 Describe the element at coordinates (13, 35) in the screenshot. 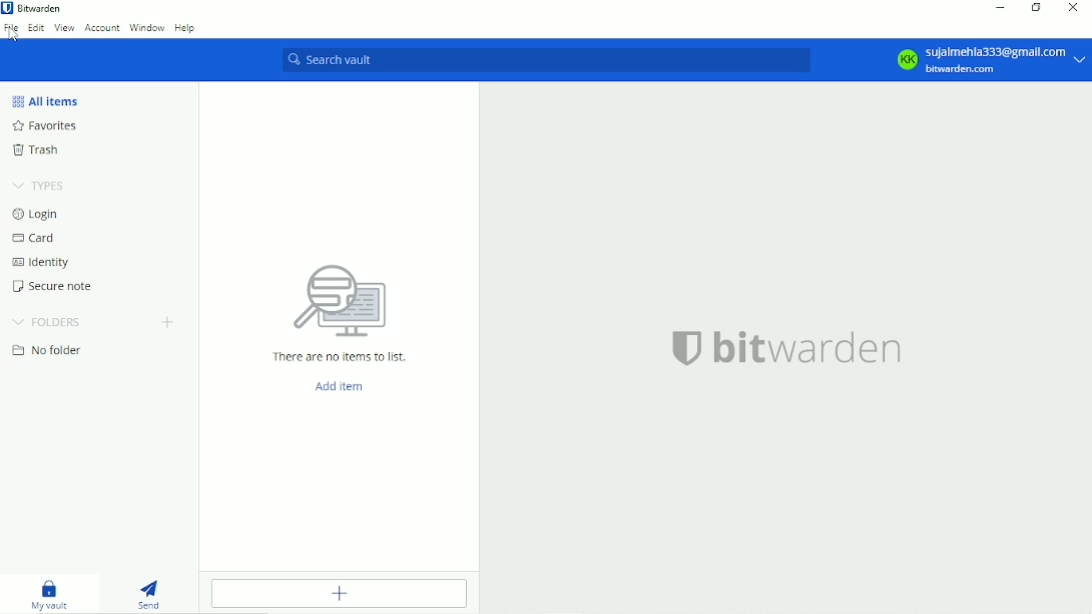

I see `cursor` at that location.